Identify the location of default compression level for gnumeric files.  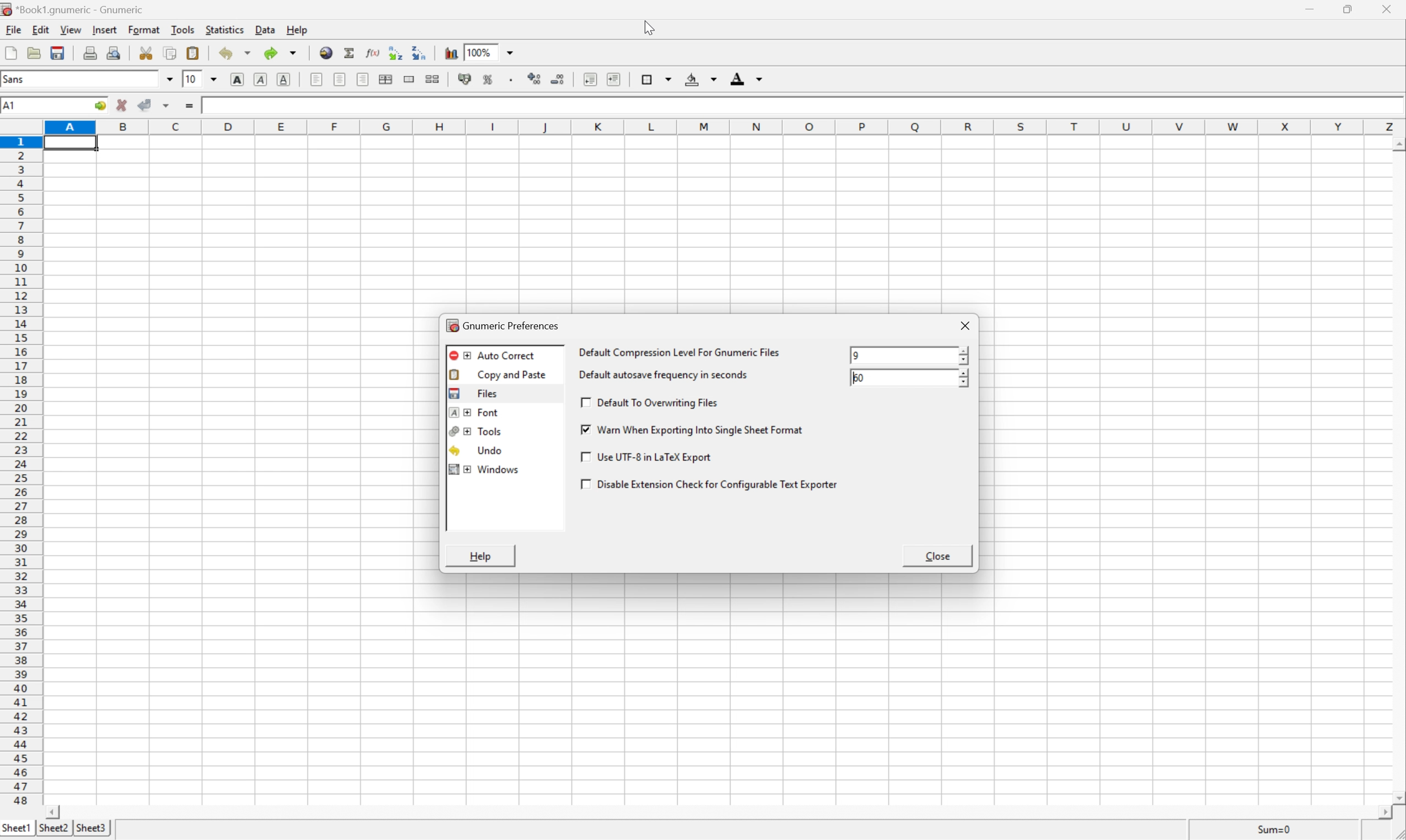
(690, 353).